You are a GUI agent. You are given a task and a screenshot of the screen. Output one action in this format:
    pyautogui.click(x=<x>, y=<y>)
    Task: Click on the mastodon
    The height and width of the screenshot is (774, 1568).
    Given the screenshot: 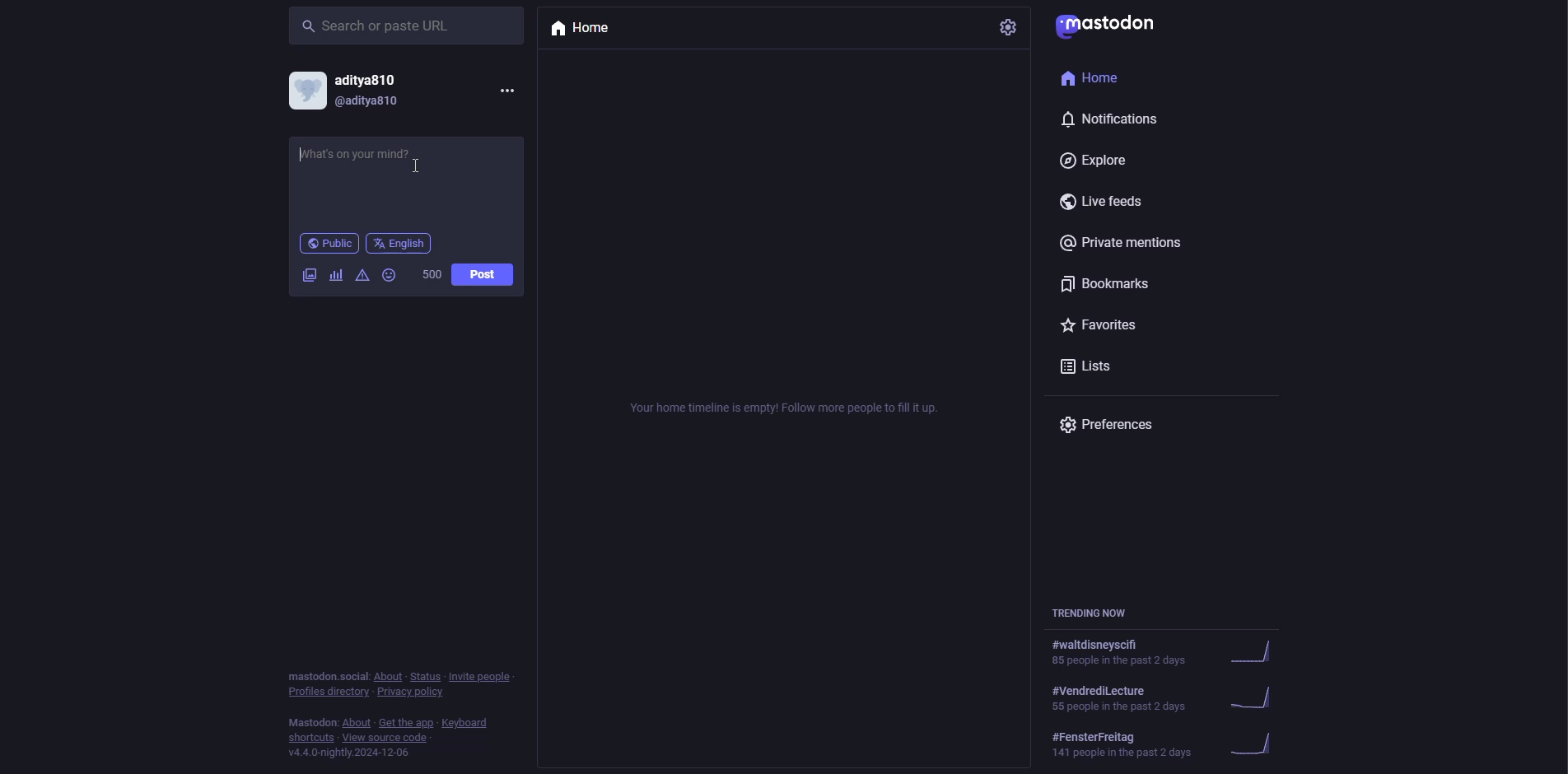 What is the action you would take?
    pyautogui.click(x=1116, y=28)
    